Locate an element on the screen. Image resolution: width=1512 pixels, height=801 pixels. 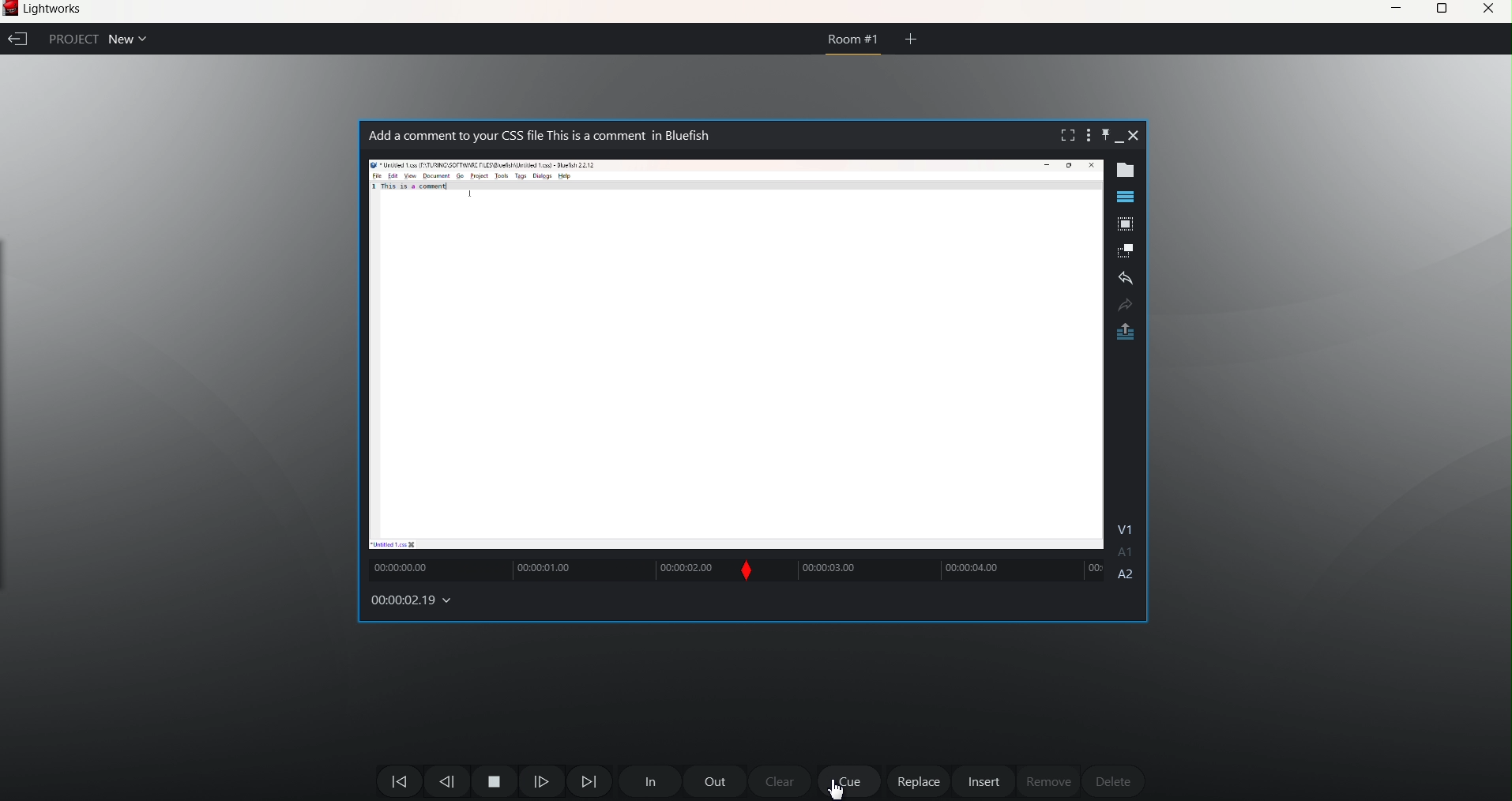
pin clip is located at coordinates (1104, 133).